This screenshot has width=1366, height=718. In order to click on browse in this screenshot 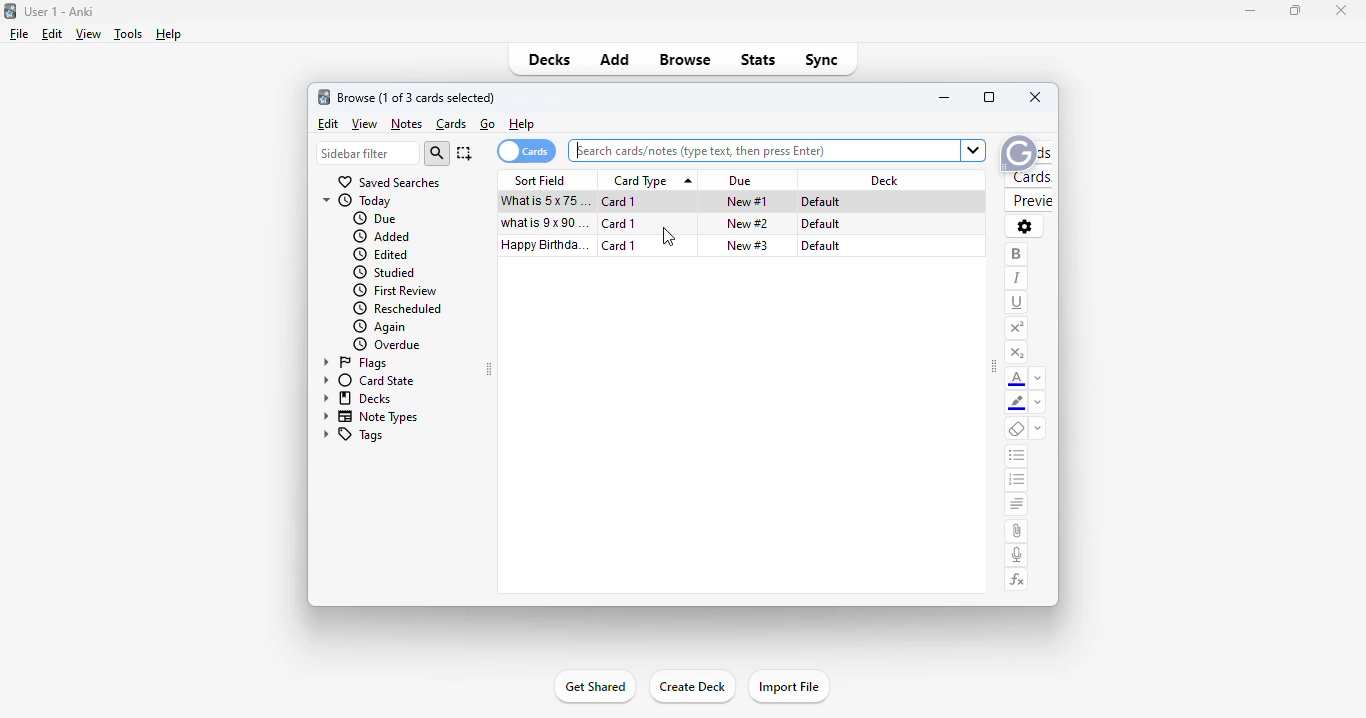, I will do `click(684, 59)`.